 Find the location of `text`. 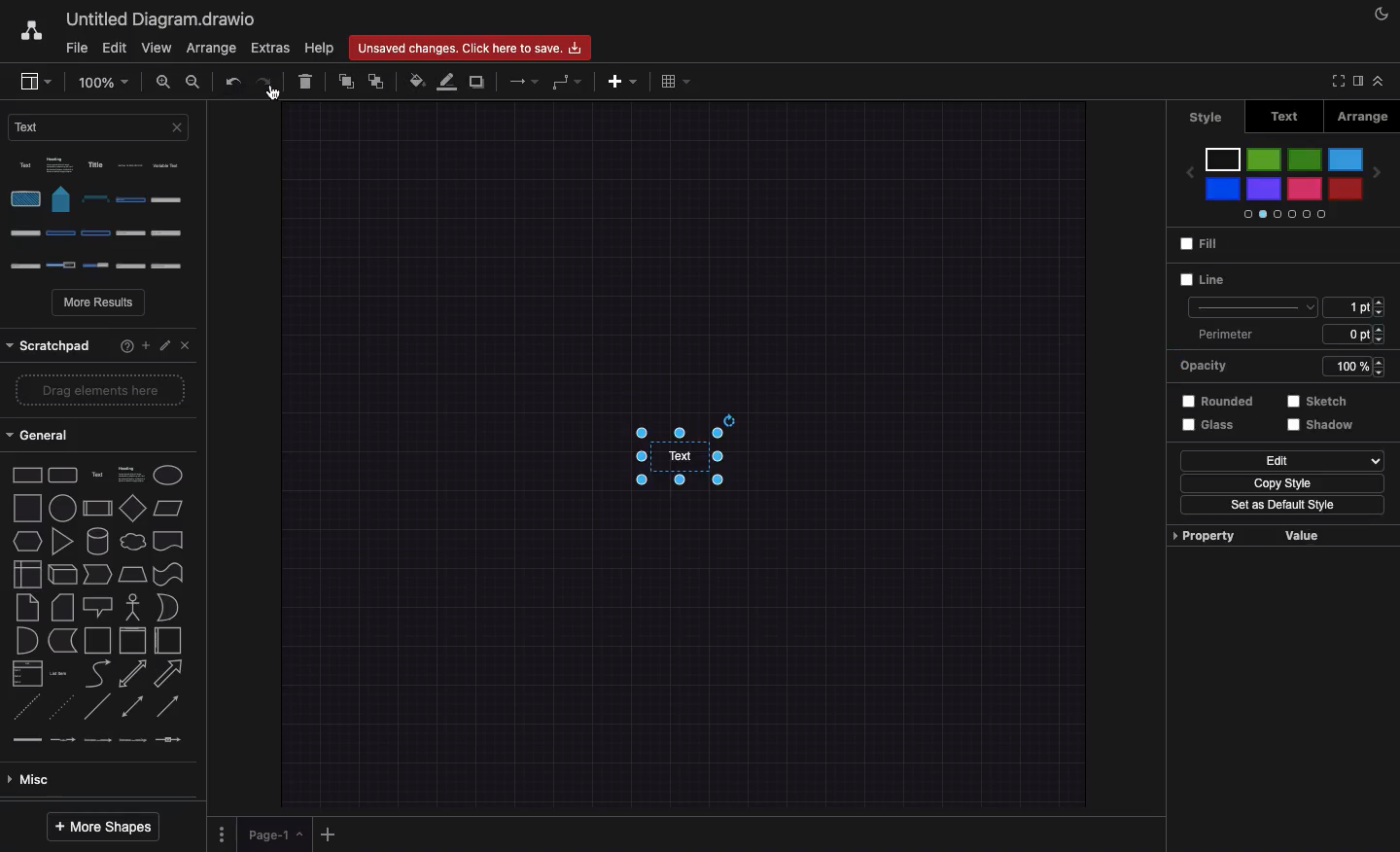

text is located at coordinates (672, 469).